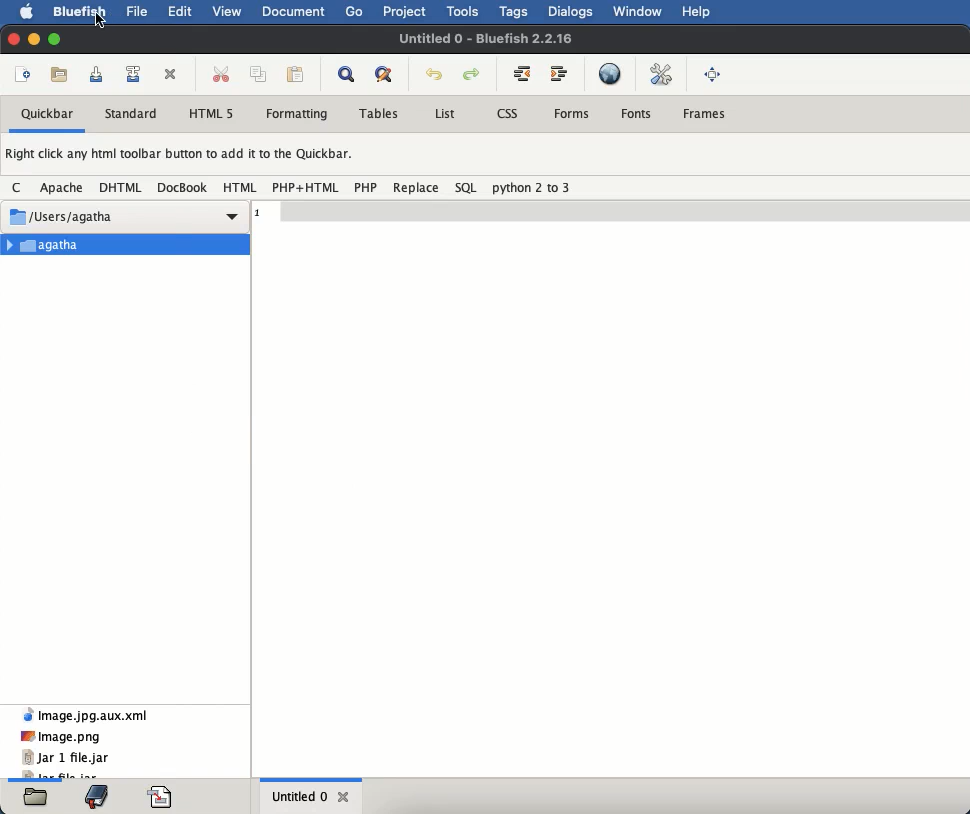  Describe the element at coordinates (122, 188) in the screenshot. I see `DHTML` at that location.